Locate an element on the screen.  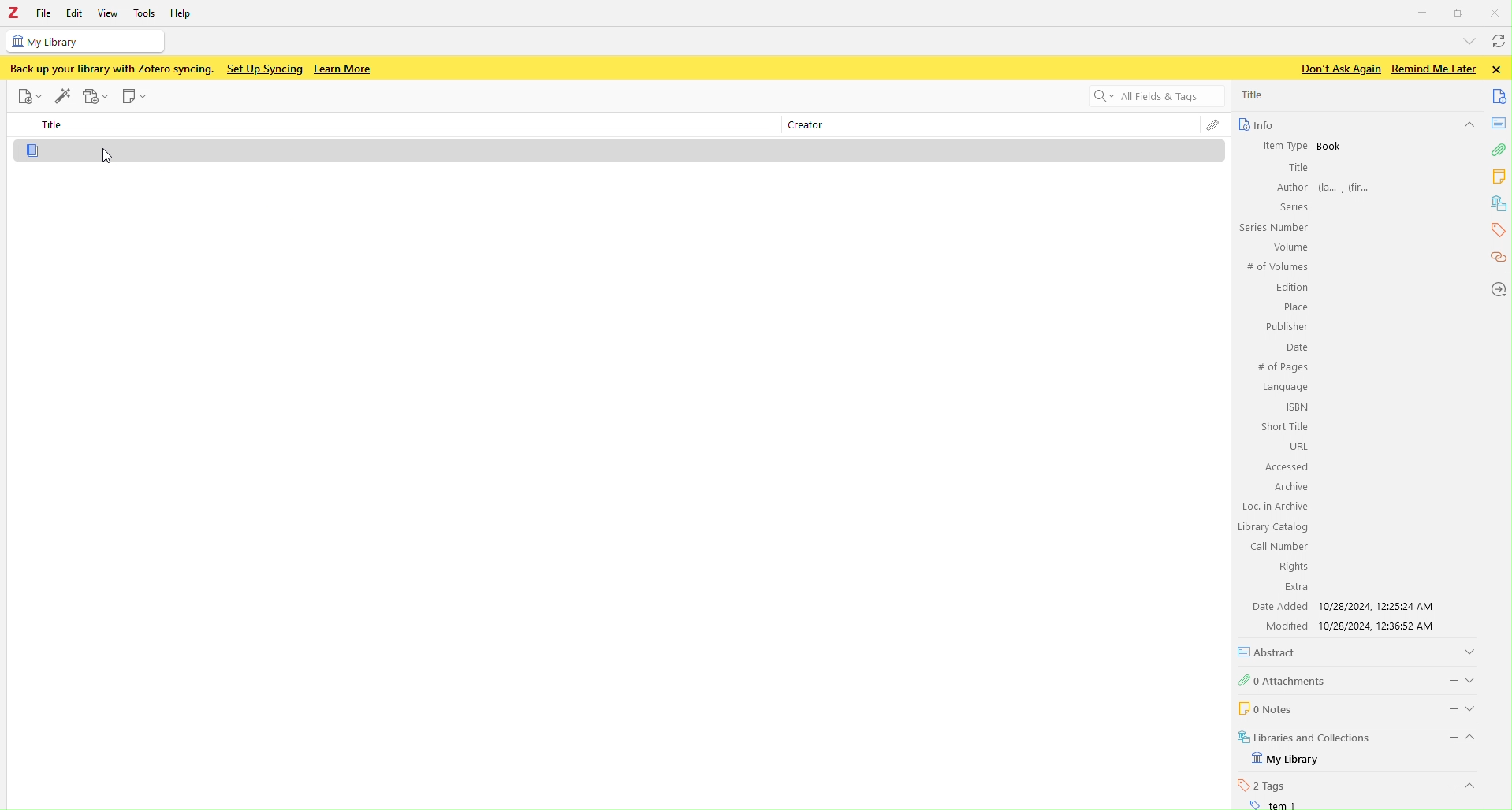
Short Title is located at coordinates (1286, 426).